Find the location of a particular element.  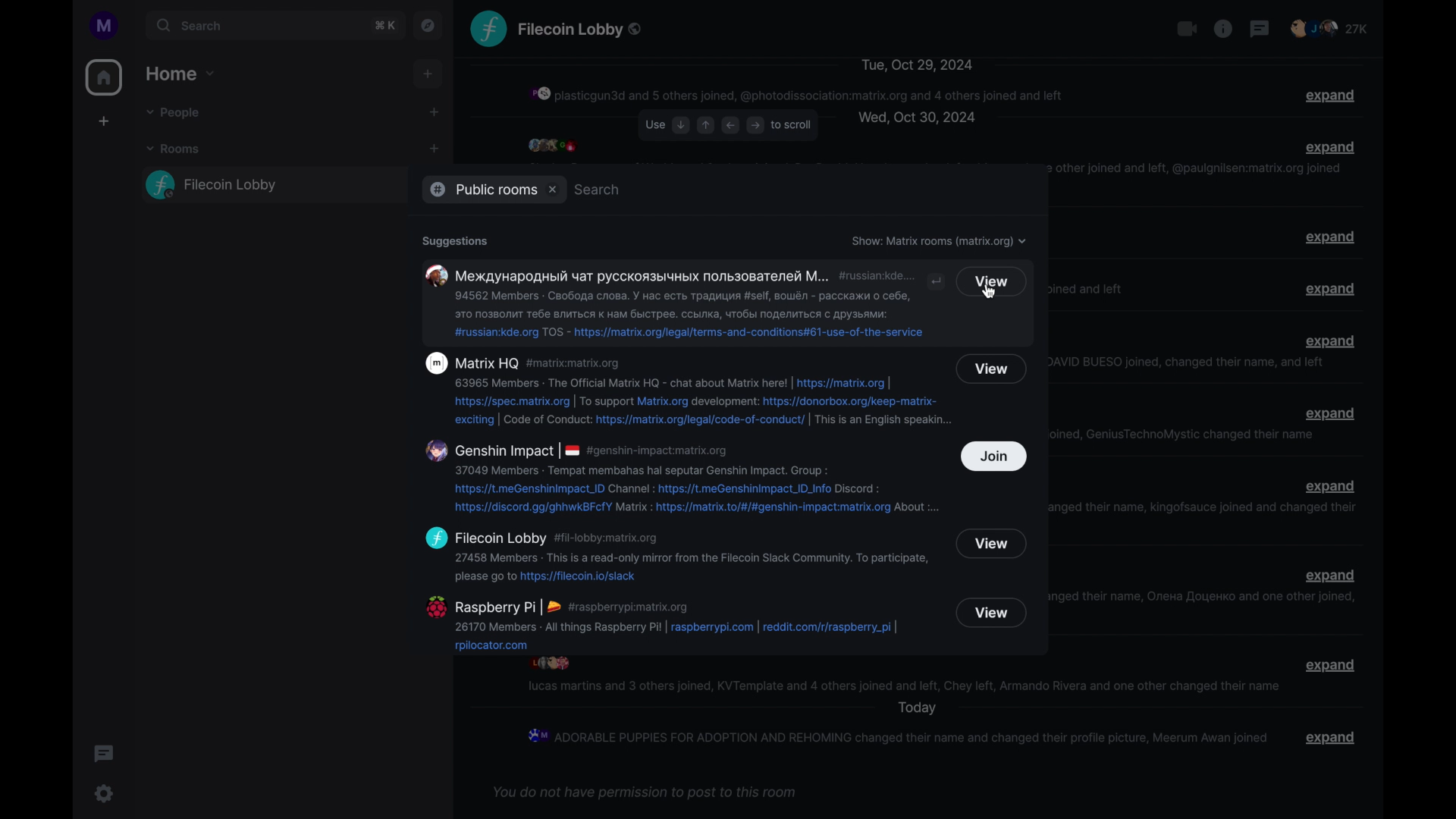

view is located at coordinates (993, 369).